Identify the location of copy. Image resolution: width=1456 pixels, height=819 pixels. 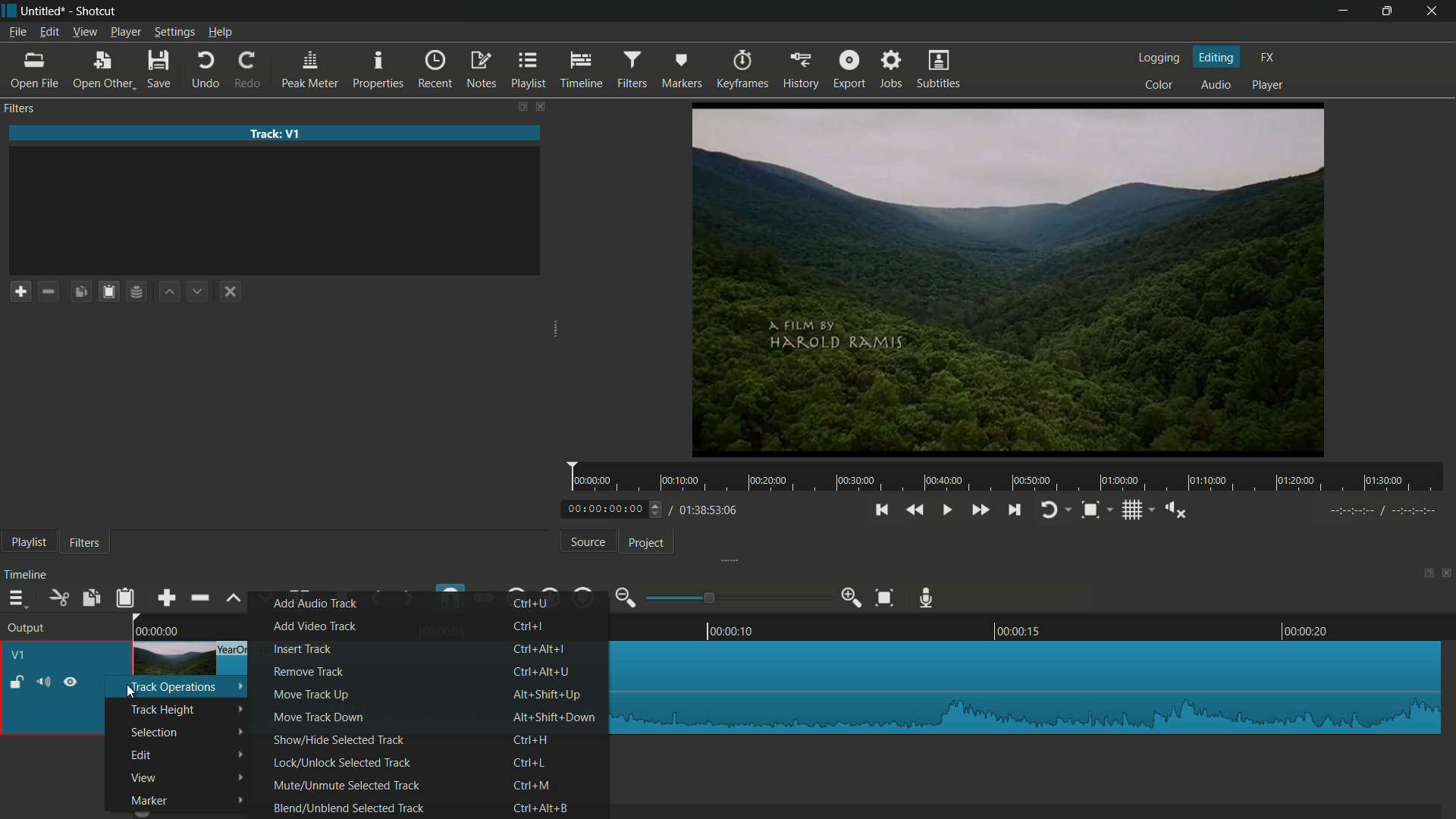
(93, 598).